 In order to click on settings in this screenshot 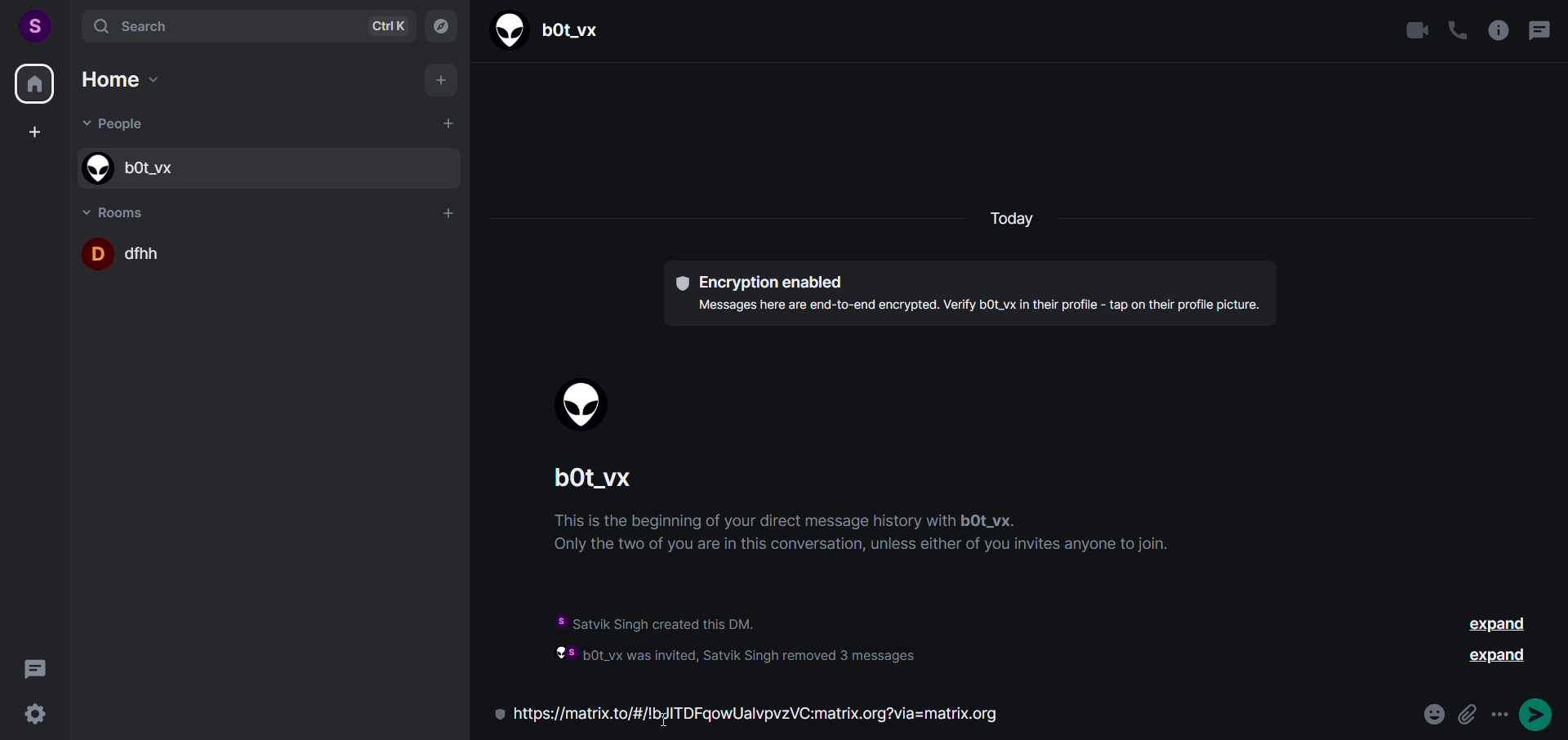, I will do `click(38, 715)`.